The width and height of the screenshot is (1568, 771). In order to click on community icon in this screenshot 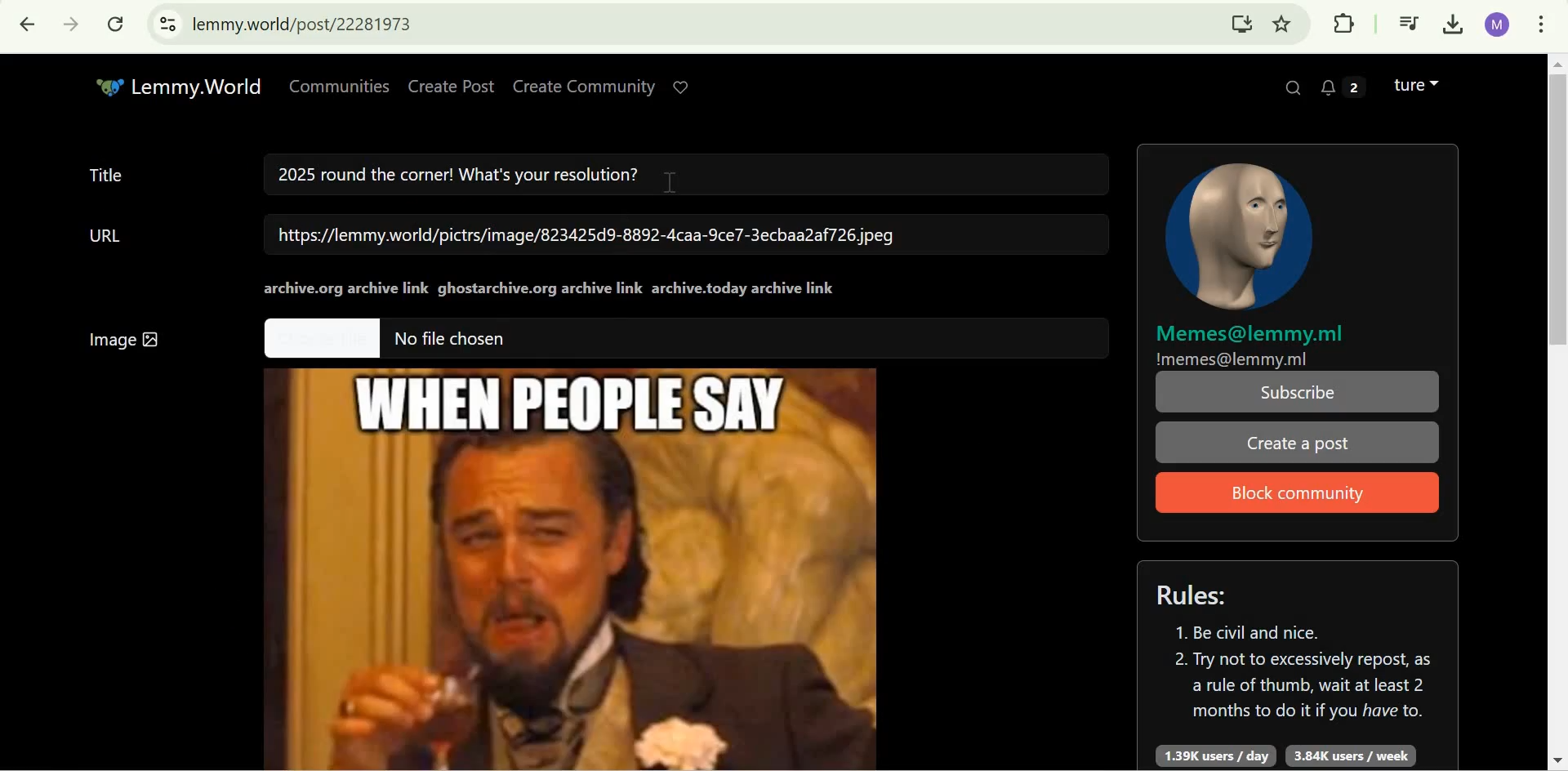, I will do `click(1243, 234)`.